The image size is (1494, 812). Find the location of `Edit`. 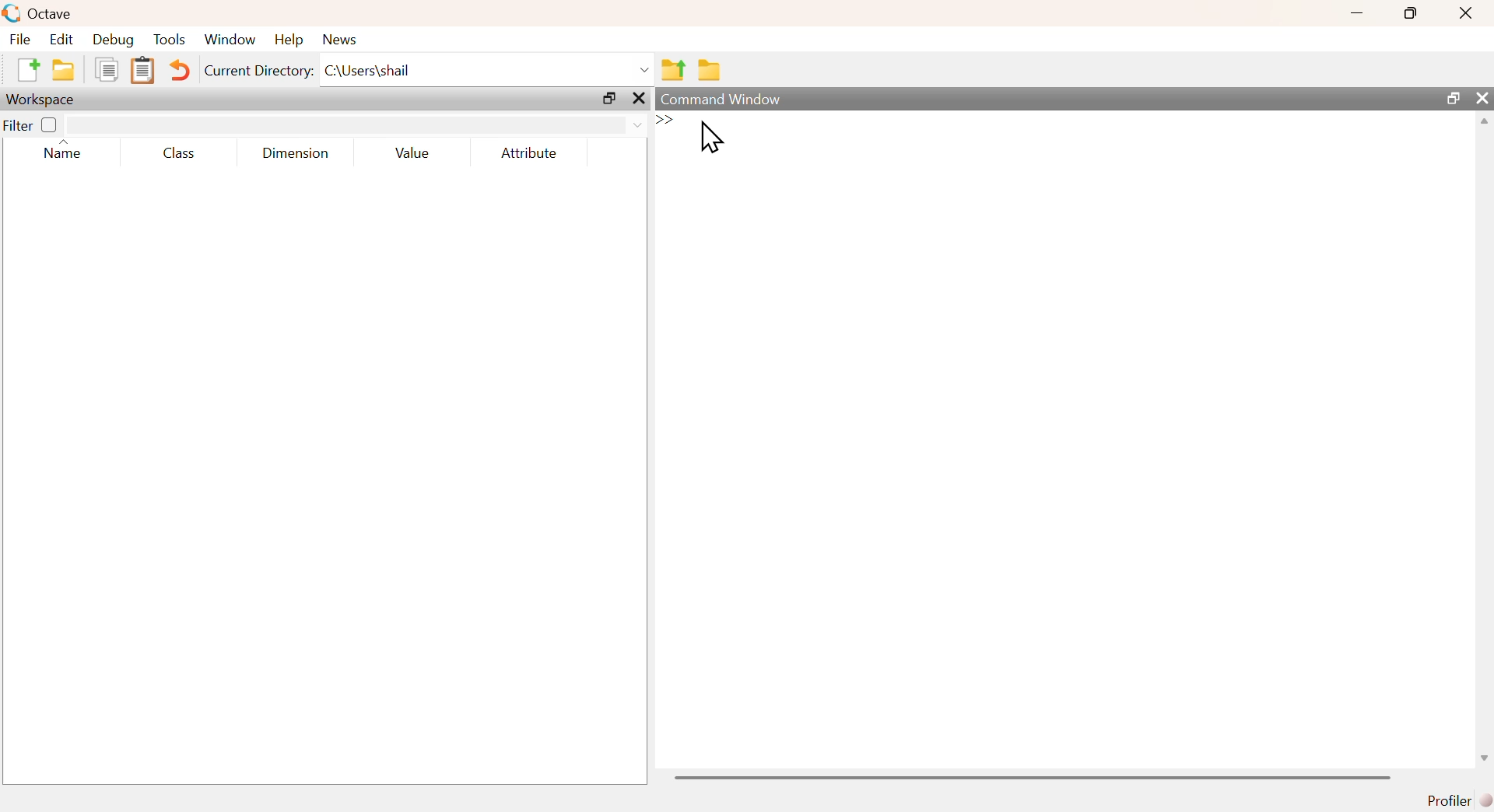

Edit is located at coordinates (63, 39).